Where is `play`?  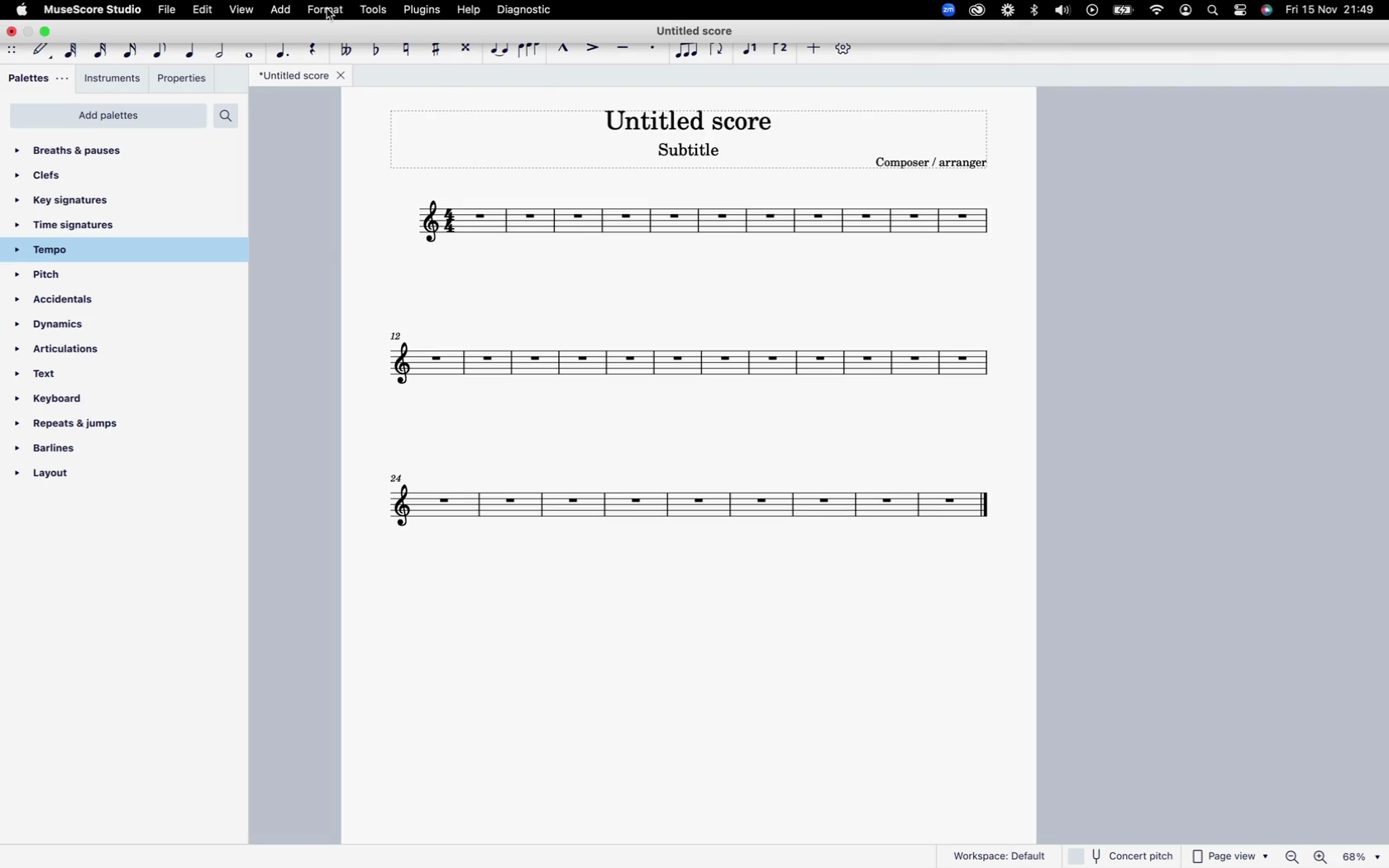
play is located at coordinates (1093, 12).